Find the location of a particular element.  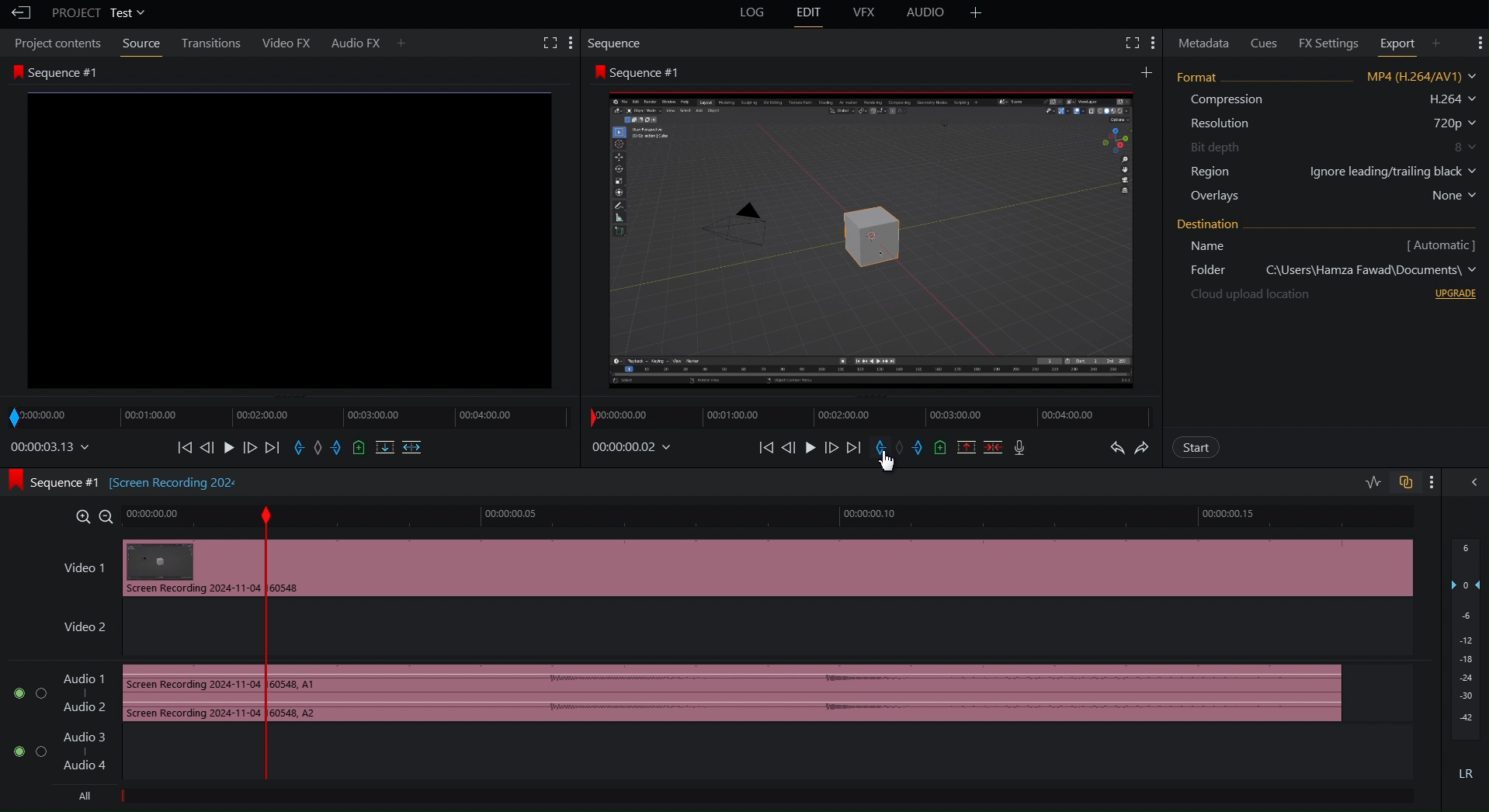

Sequence#1 [Screen Recording 202 is located at coordinates (127, 483).